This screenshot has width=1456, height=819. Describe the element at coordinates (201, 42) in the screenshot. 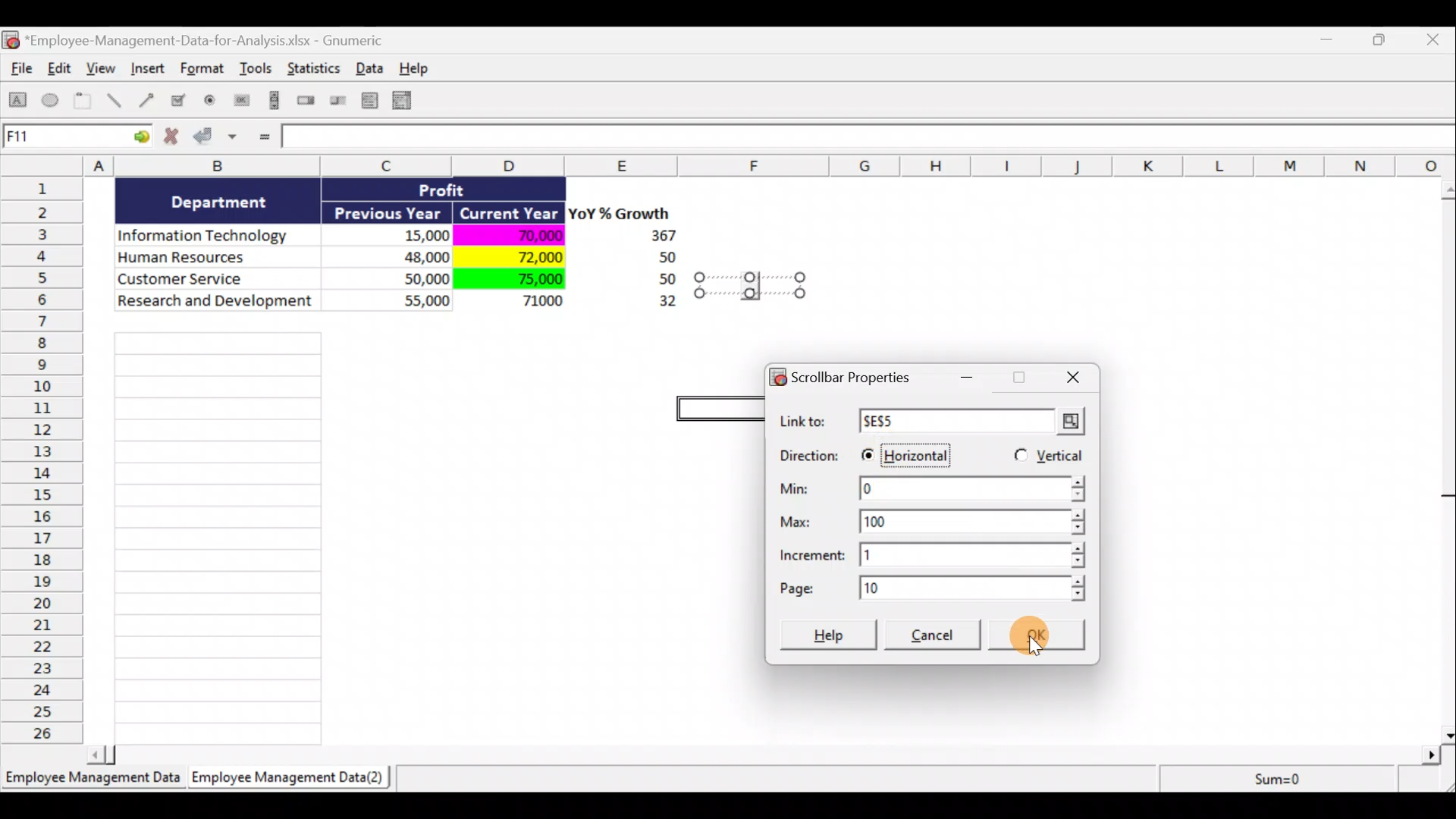

I see `Document name` at that location.